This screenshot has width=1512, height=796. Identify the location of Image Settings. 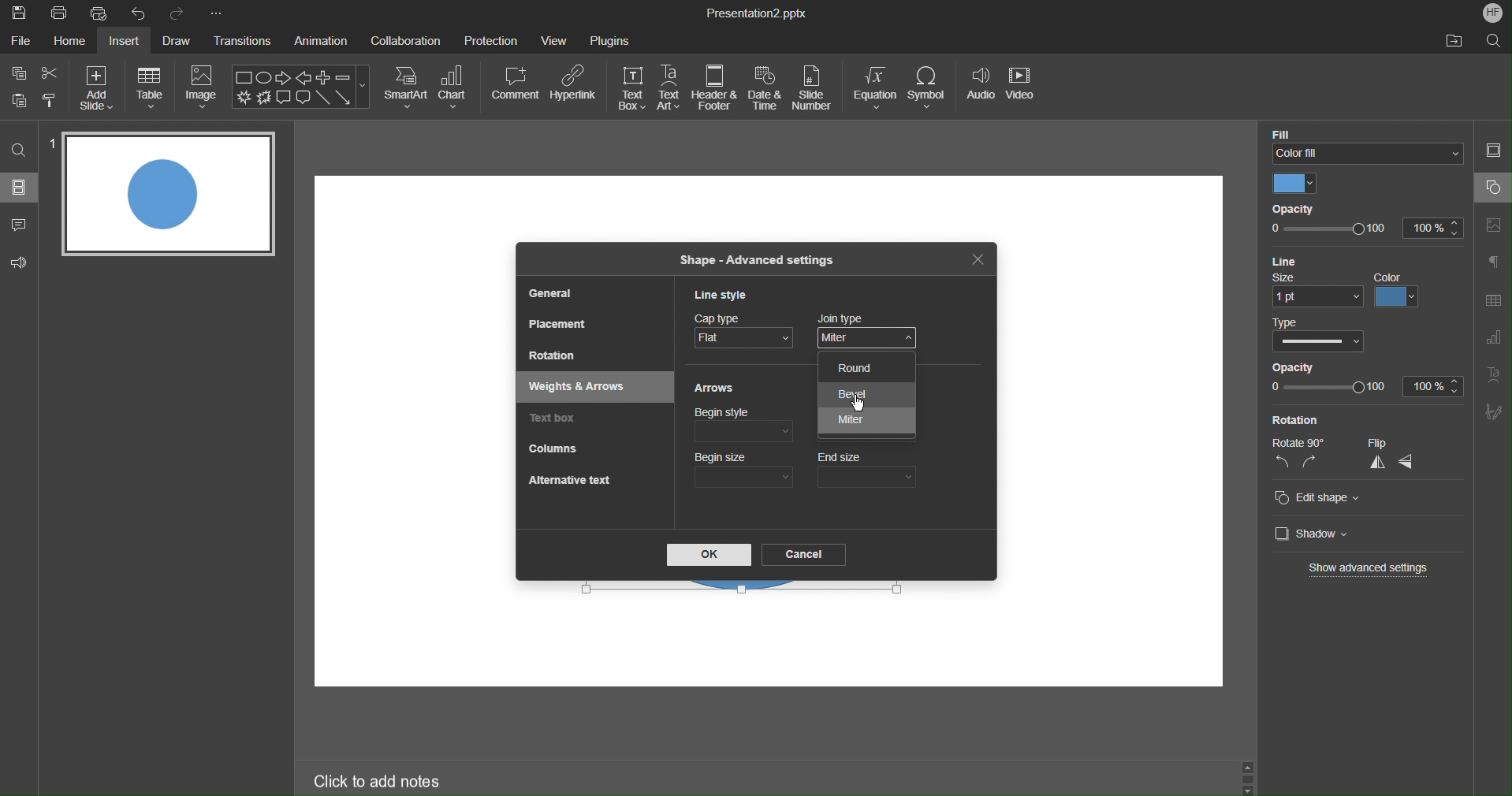
(1495, 223).